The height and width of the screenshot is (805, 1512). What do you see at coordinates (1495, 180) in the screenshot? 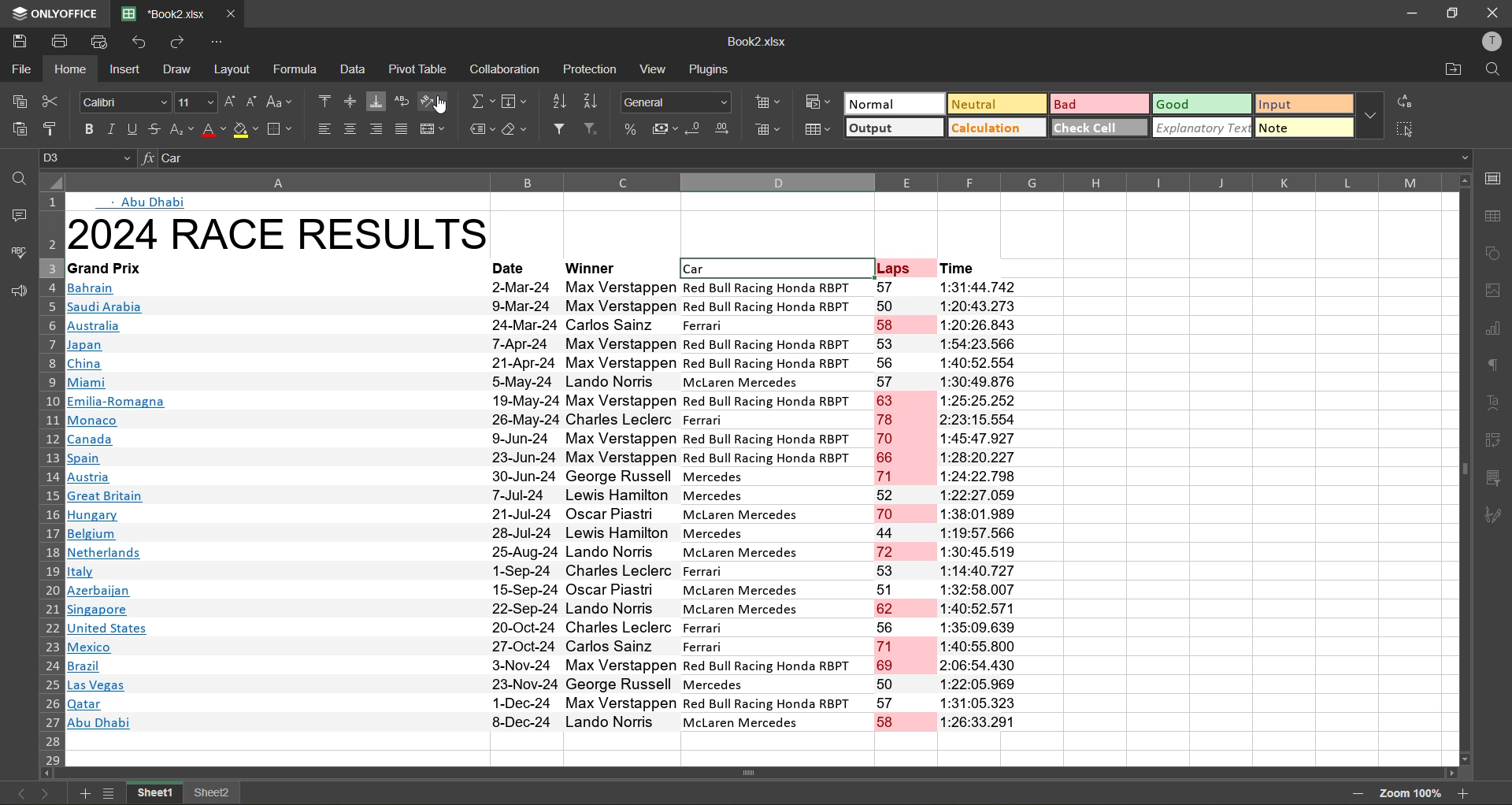
I see `call settings` at bounding box center [1495, 180].